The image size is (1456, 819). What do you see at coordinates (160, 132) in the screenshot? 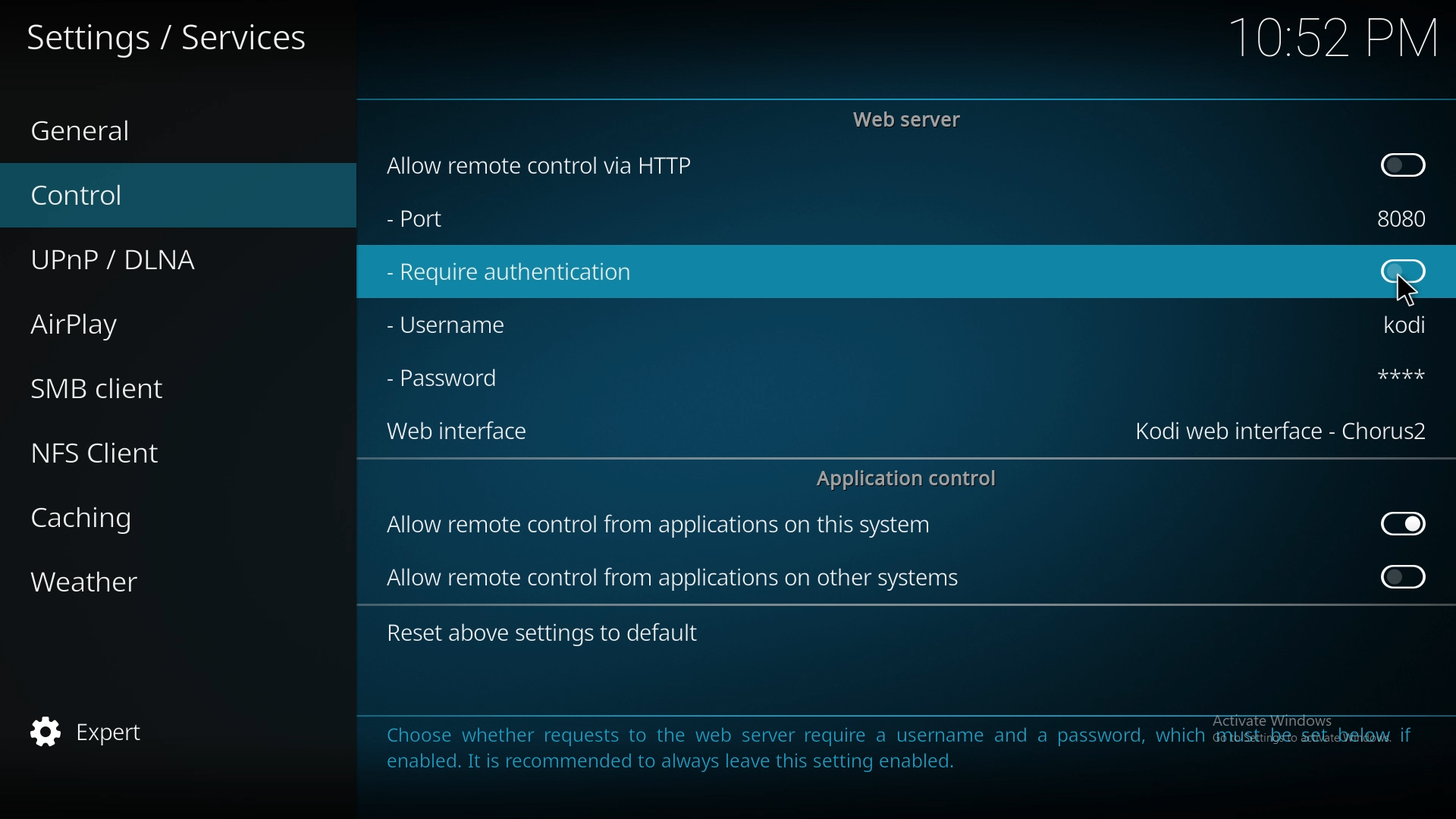
I see `general` at bounding box center [160, 132].